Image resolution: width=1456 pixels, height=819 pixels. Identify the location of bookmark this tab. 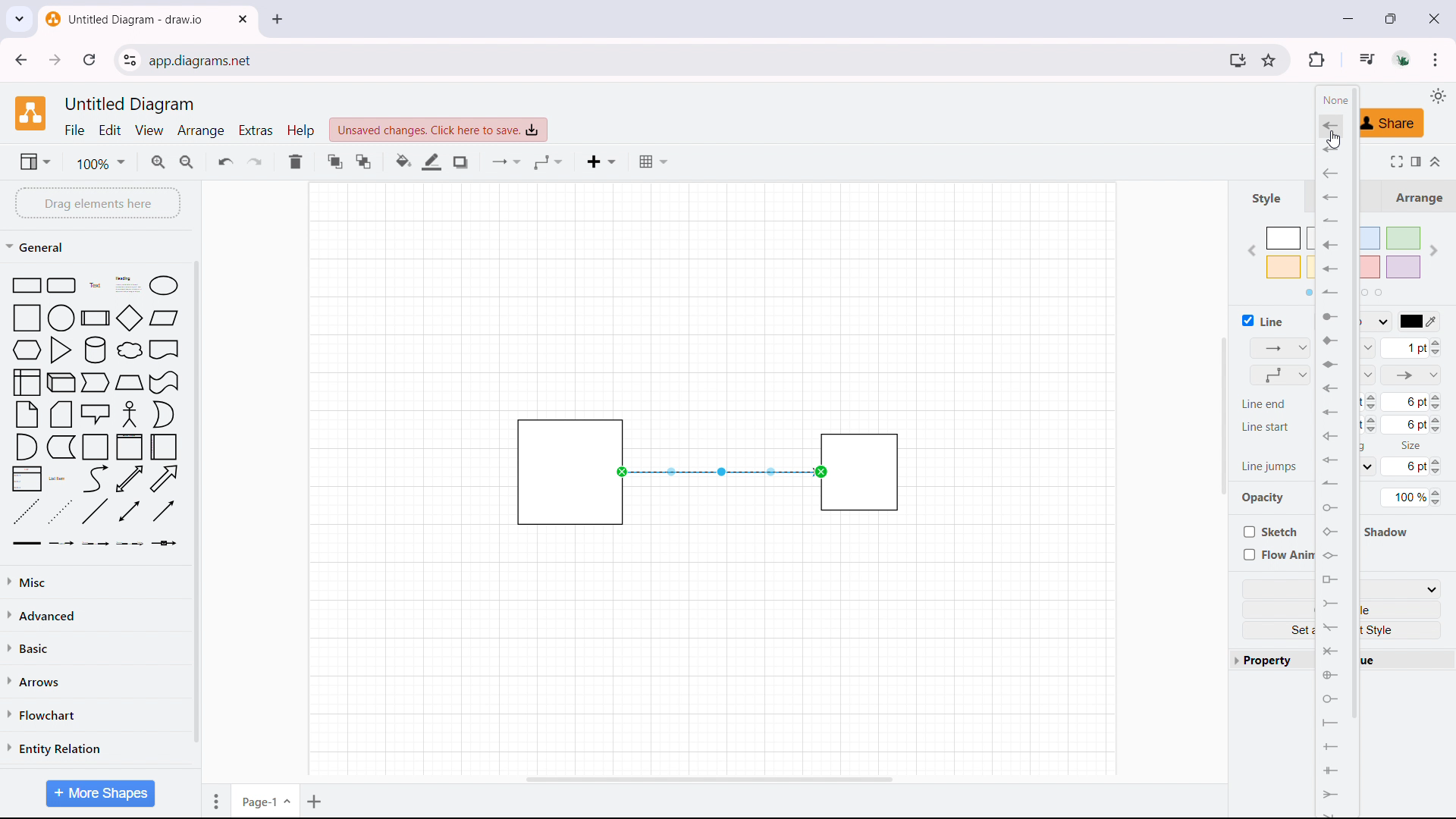
(1268, 60).